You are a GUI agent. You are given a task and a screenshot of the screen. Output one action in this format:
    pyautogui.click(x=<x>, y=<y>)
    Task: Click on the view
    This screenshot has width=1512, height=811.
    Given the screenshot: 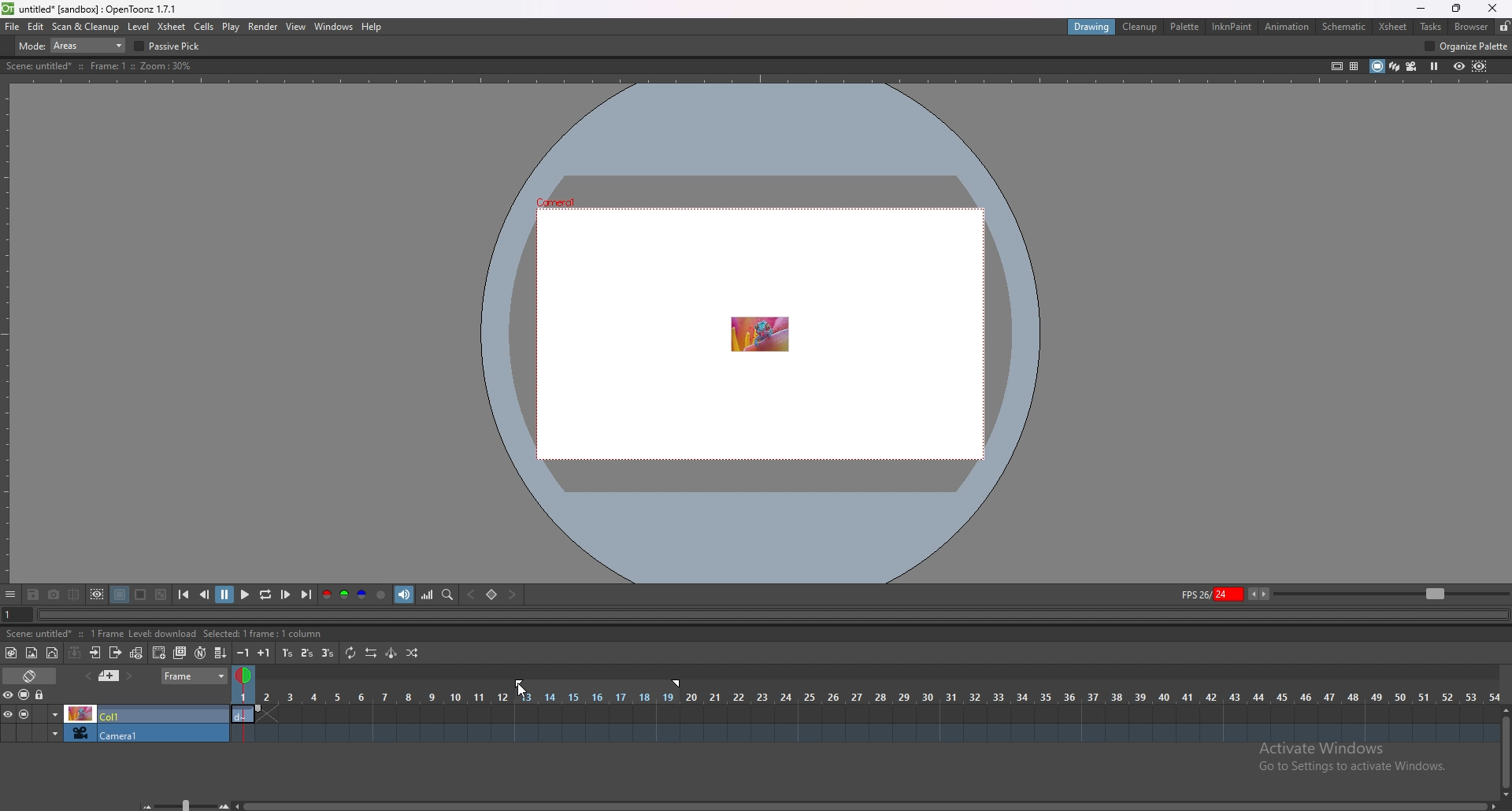 What is the action you would take?
    pyautogui.click(x=297, y=27)
    